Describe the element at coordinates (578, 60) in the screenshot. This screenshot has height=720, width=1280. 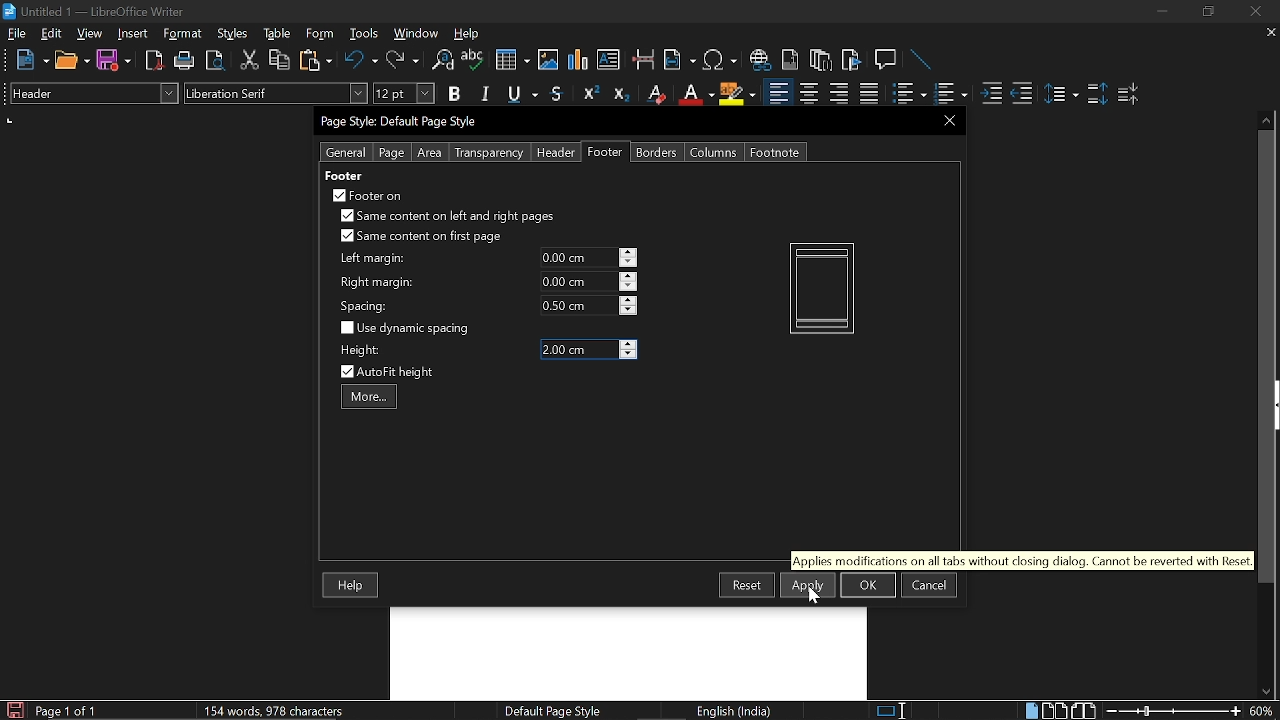
I see `insert diagram` at that location.